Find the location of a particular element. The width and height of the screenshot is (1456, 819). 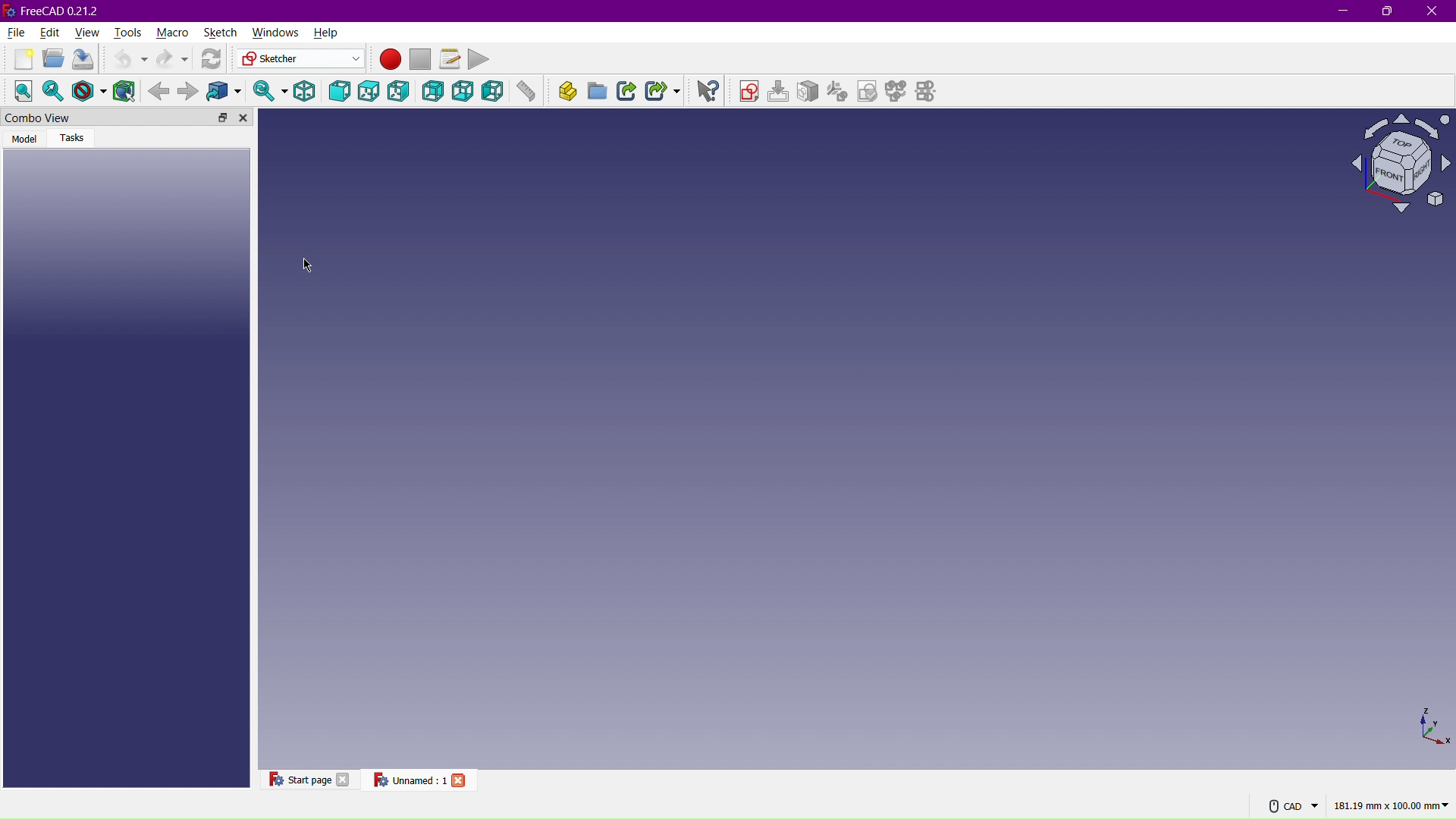

Make a sub-link is located at coordinates (664, 92).